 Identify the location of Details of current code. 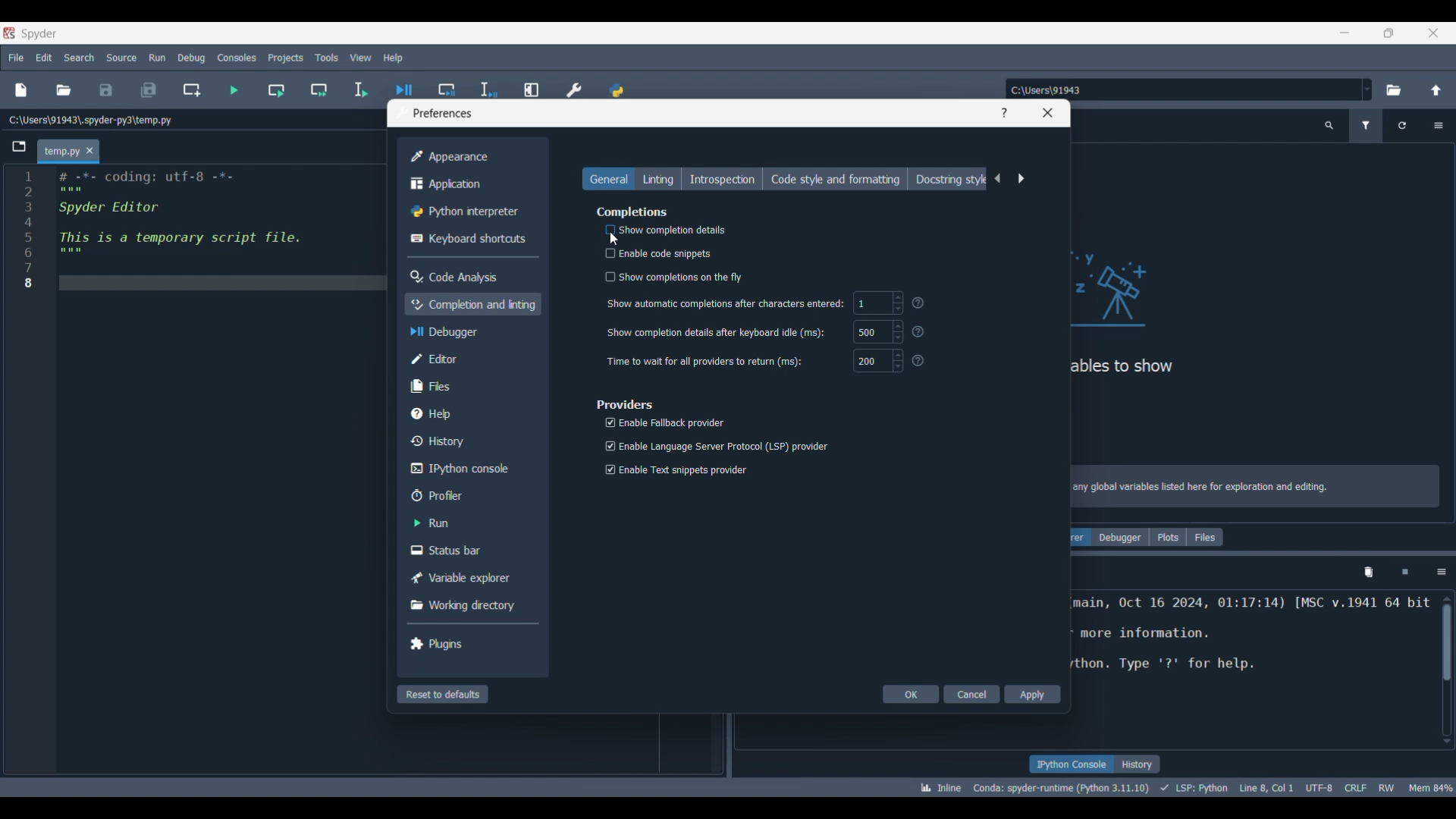
(1185, 787).